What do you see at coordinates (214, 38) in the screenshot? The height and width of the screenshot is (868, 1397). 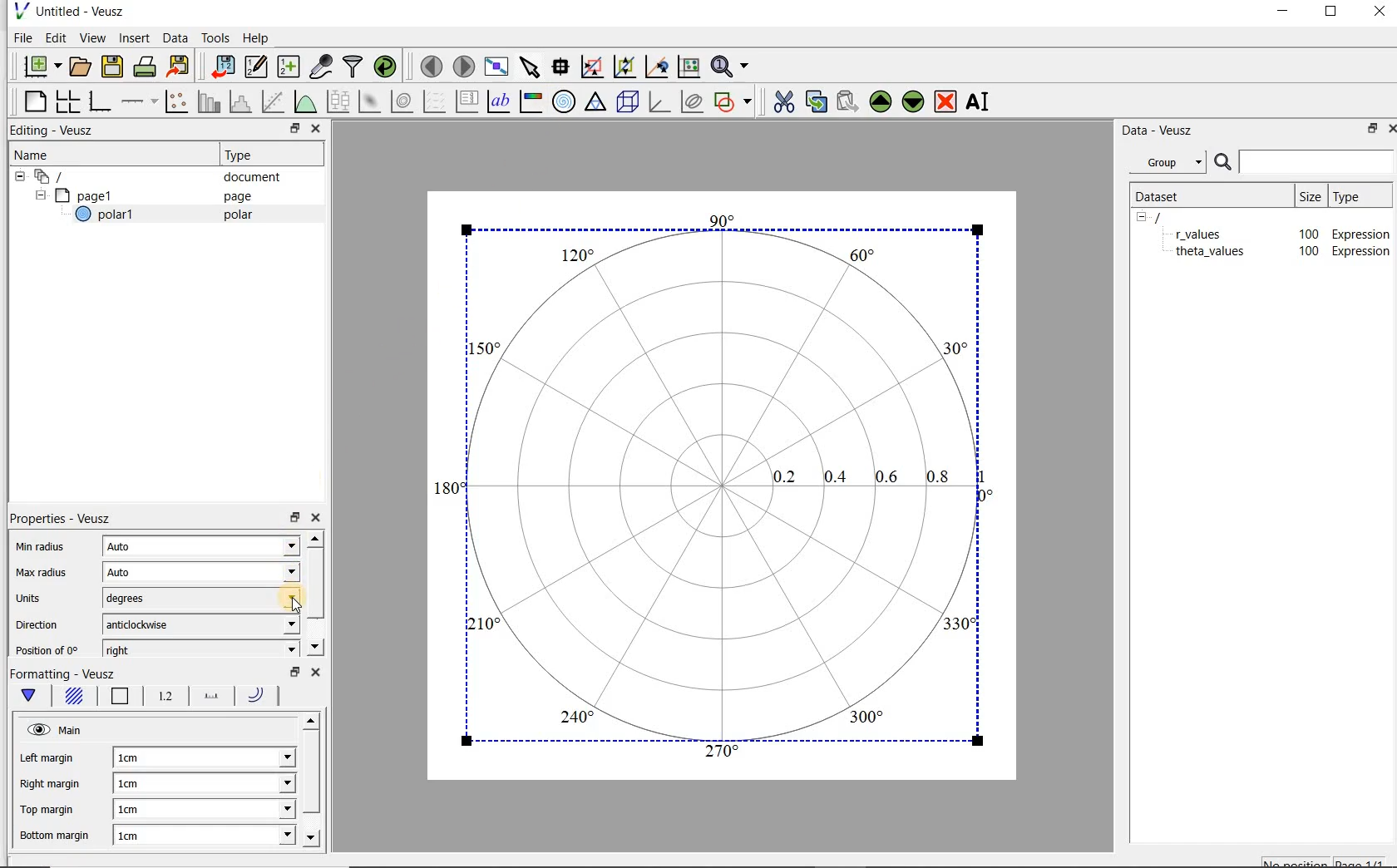 I see `Tools` at bounding box center [214, 38].